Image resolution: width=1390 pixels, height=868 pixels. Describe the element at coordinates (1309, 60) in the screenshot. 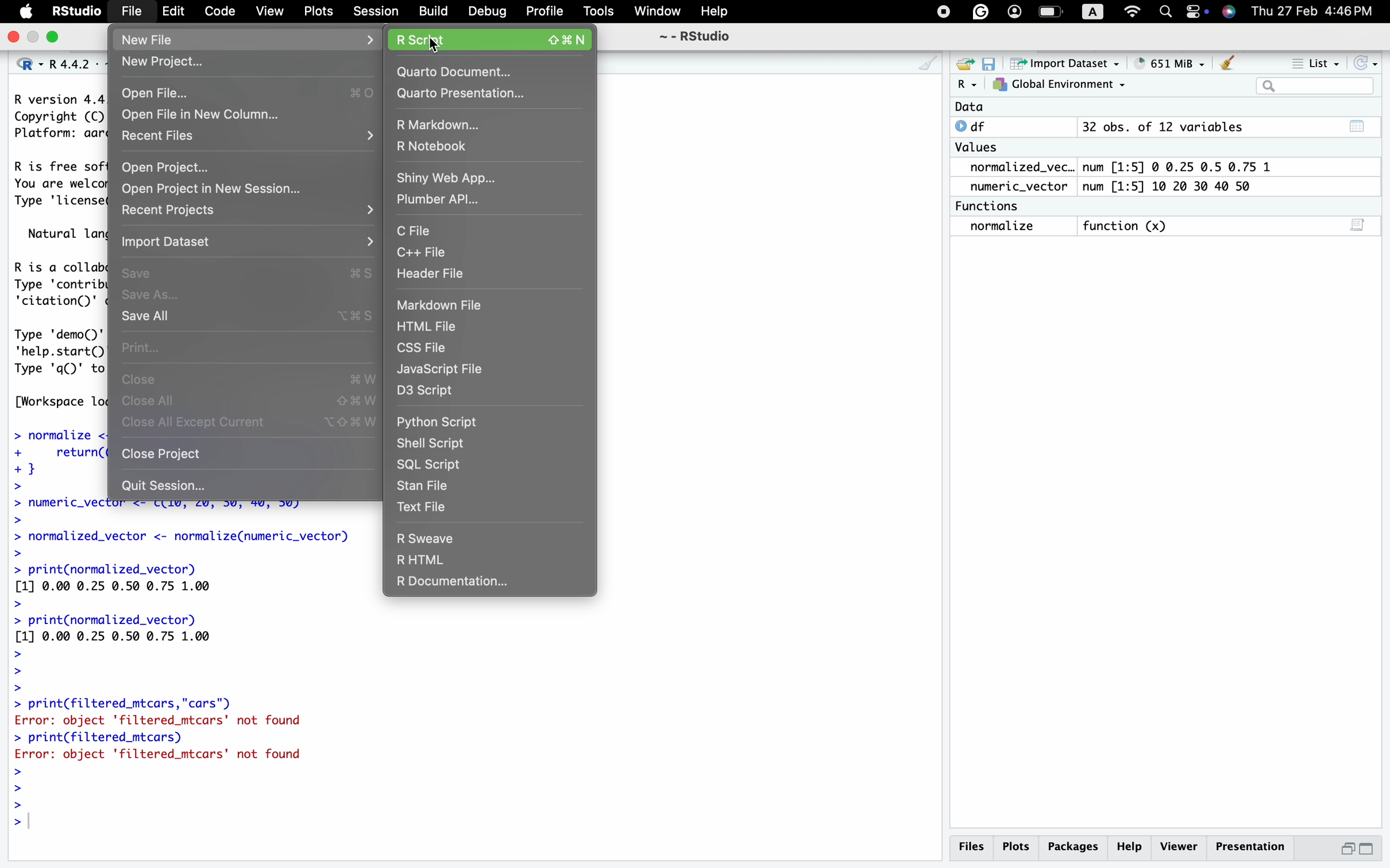

I see `= List ` at that location.